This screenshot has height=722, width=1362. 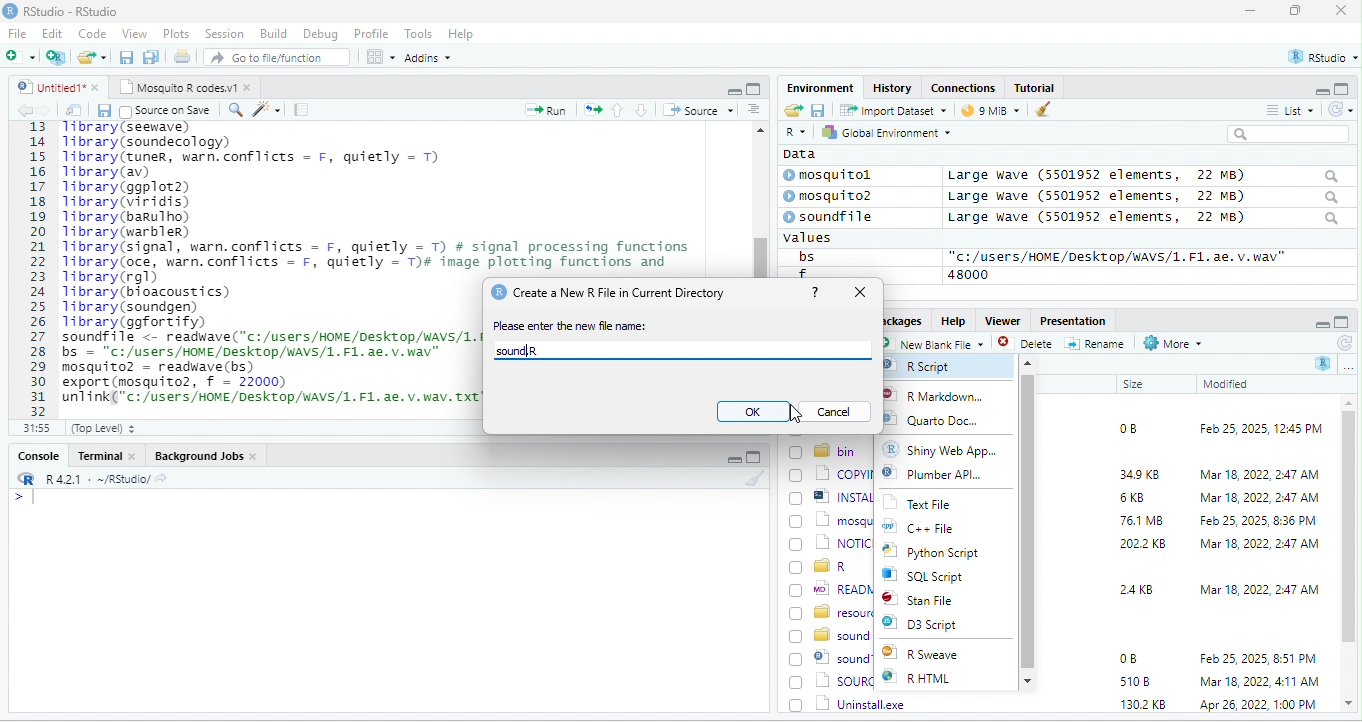 I want to click on © sound1R, so click(x=830, y=659).